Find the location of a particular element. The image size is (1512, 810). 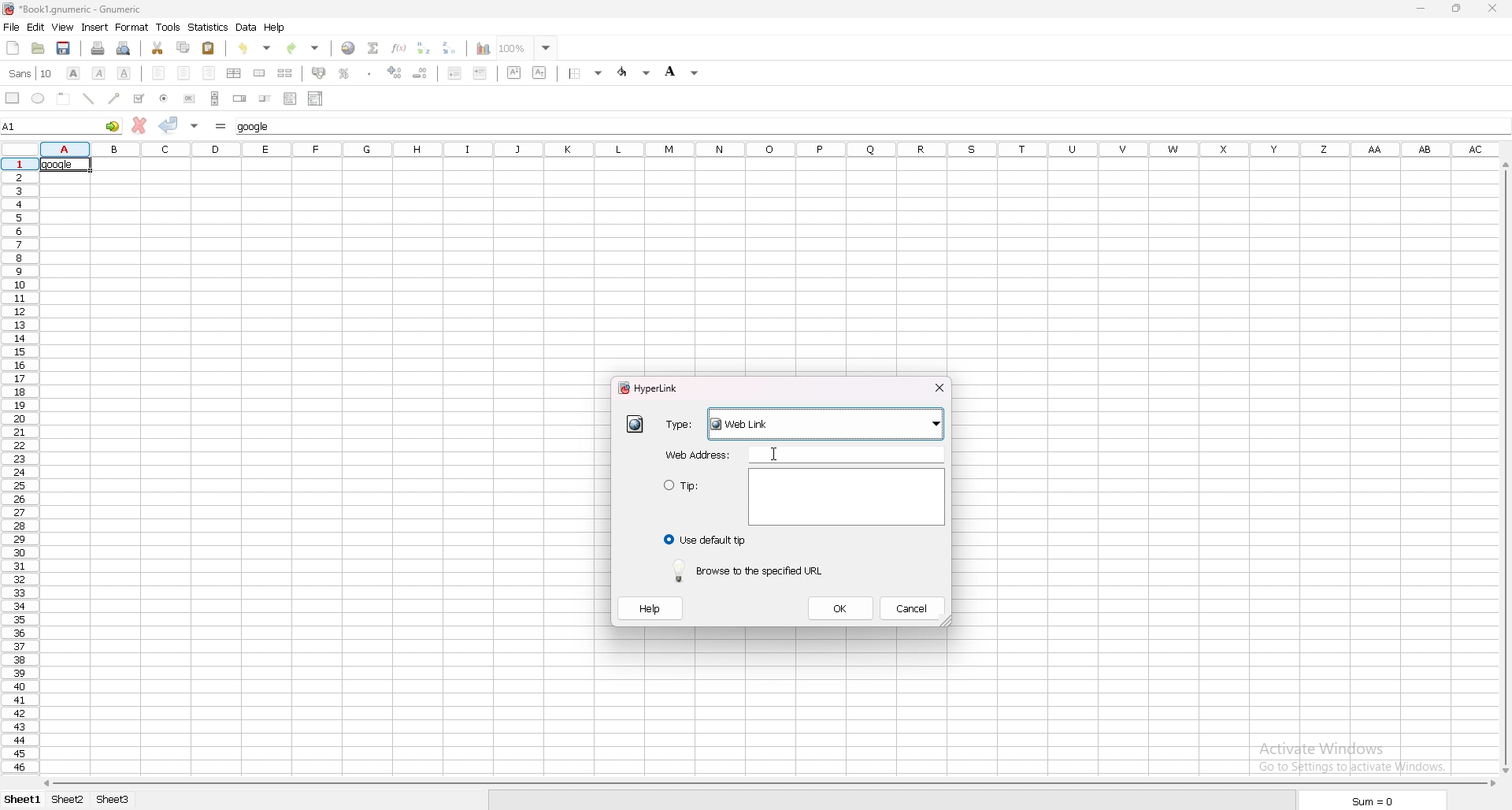

hyperlink is located at coordinates (636, 425).